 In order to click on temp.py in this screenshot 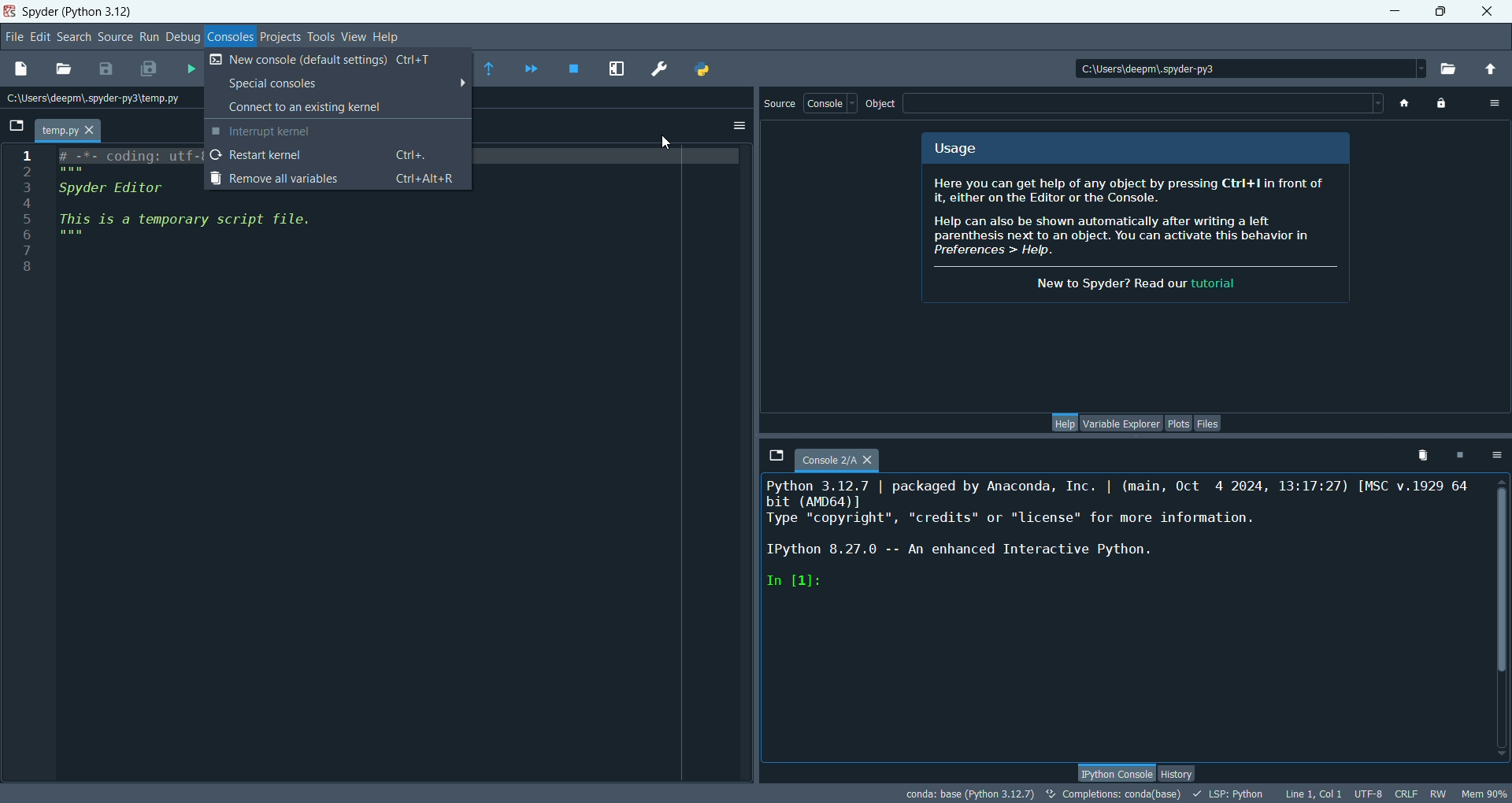, I will do `click(67, 131)`.